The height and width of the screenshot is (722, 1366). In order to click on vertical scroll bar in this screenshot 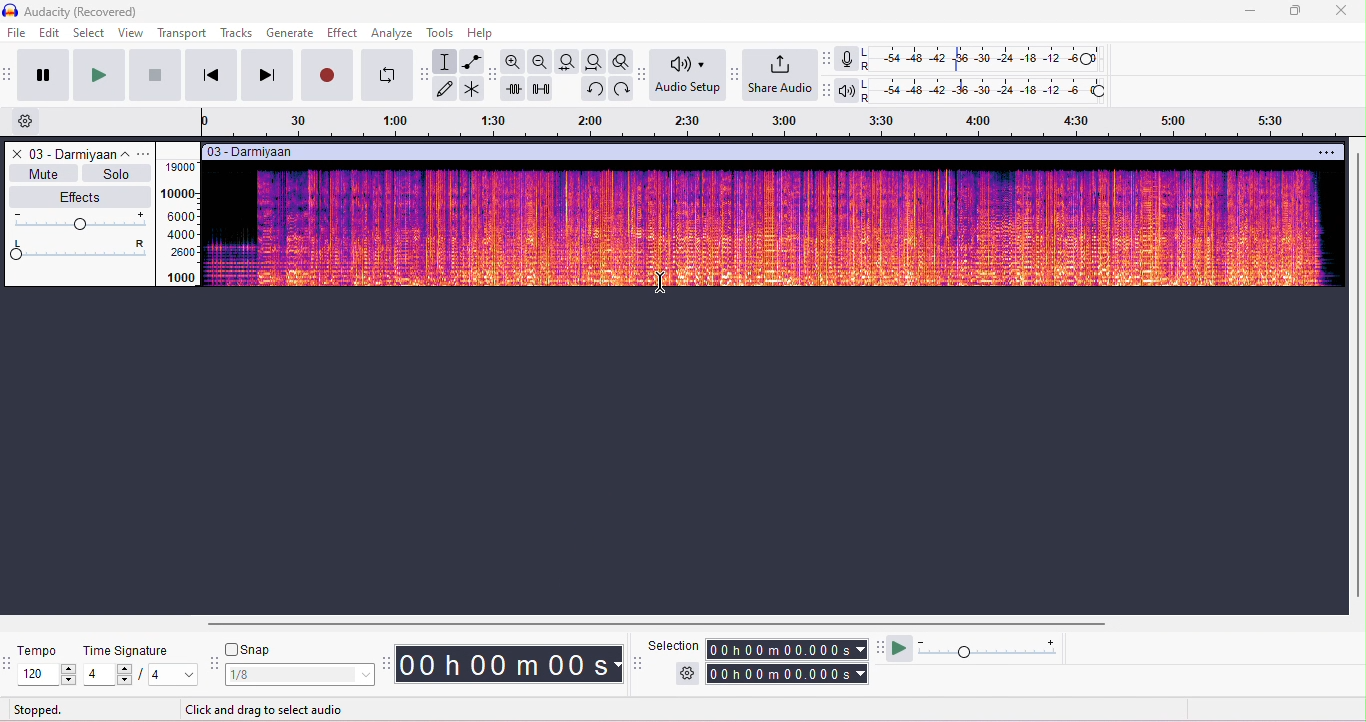, I will do `click(1357, 373)`.